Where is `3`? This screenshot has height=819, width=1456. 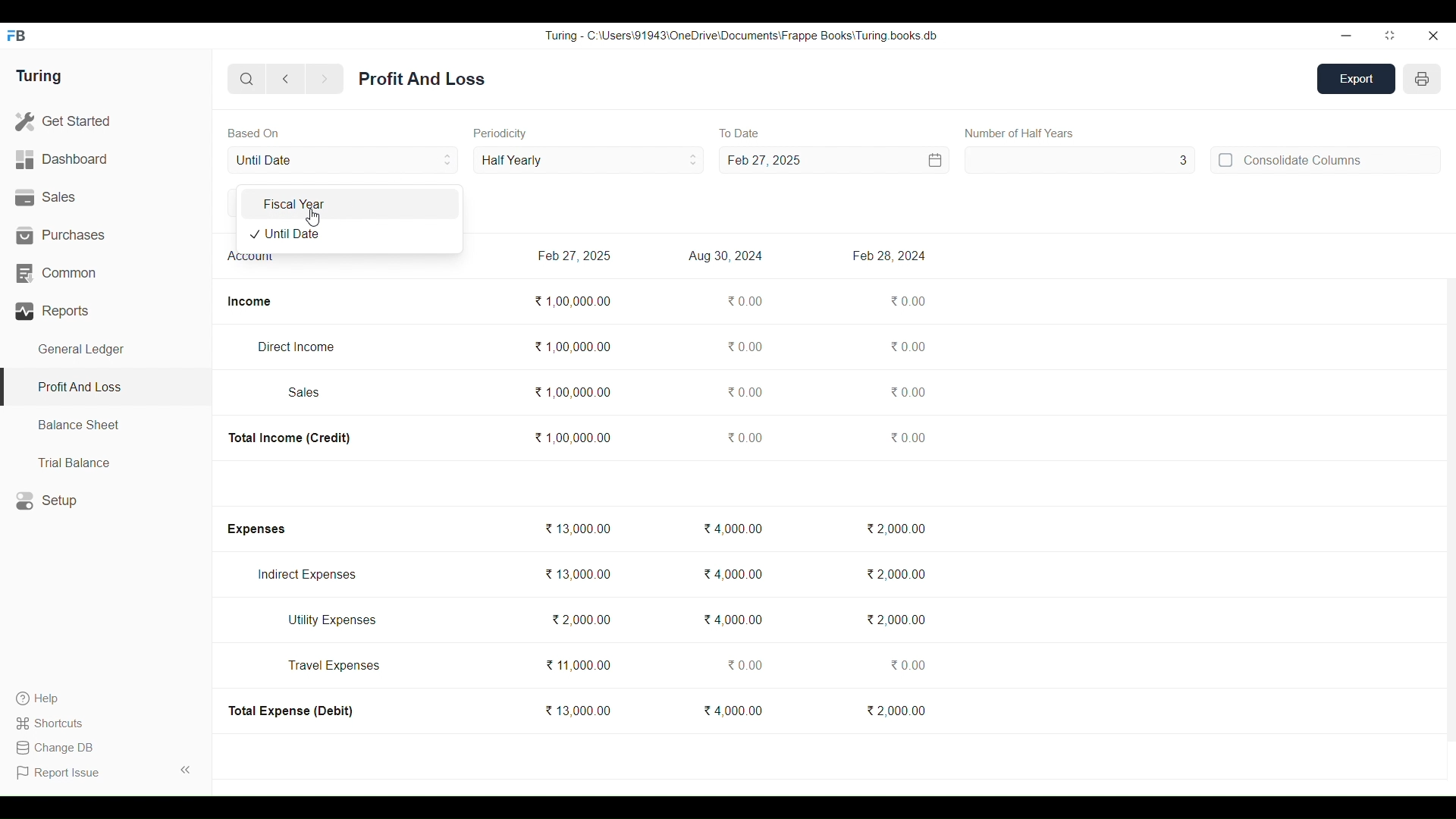
3 is located at coordinates (1081, 160).